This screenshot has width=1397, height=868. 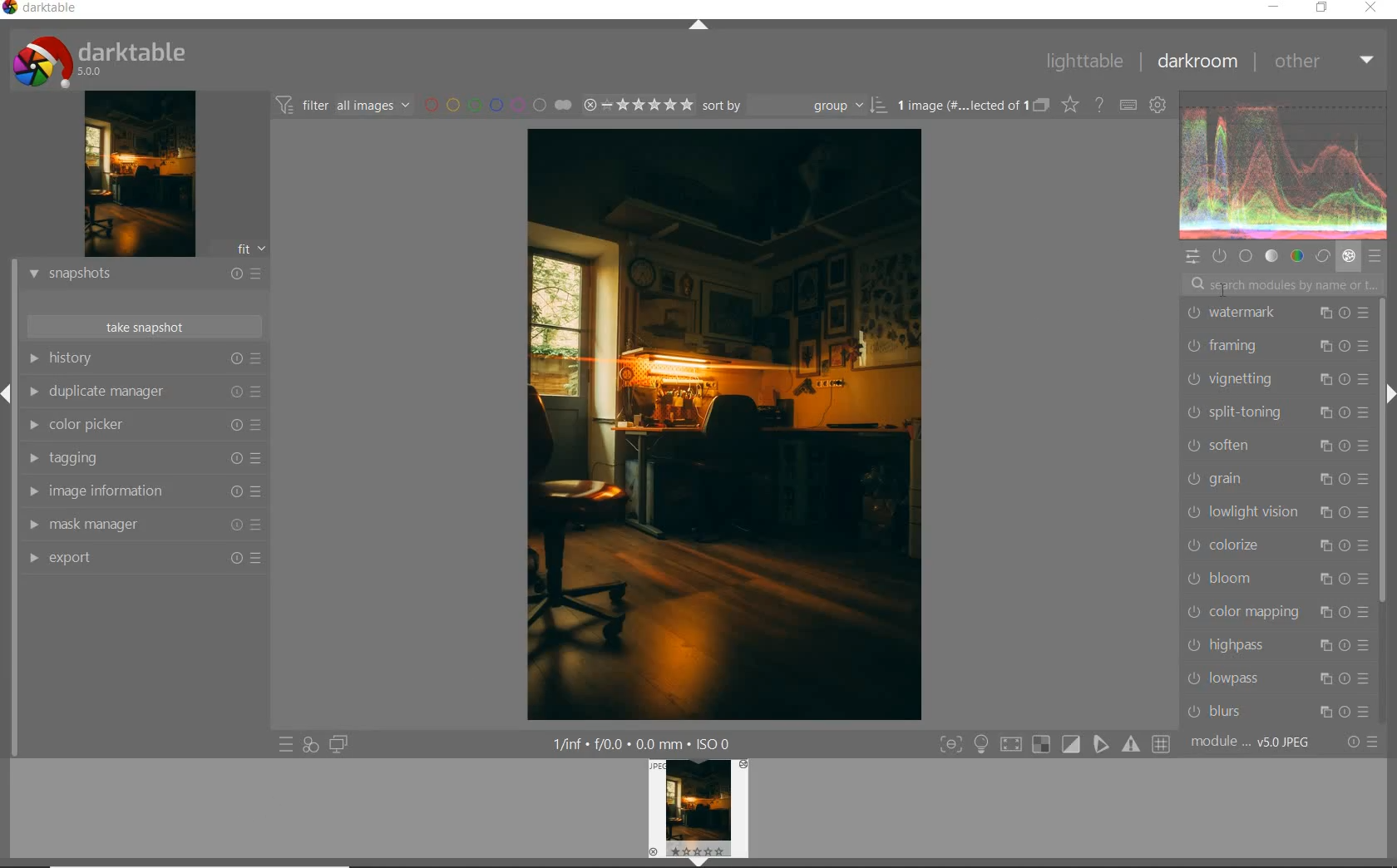 What do you see at coordinates (1159, 106) in the screenshot?
I see `show global preferences` at bounding box center [1159, 106].